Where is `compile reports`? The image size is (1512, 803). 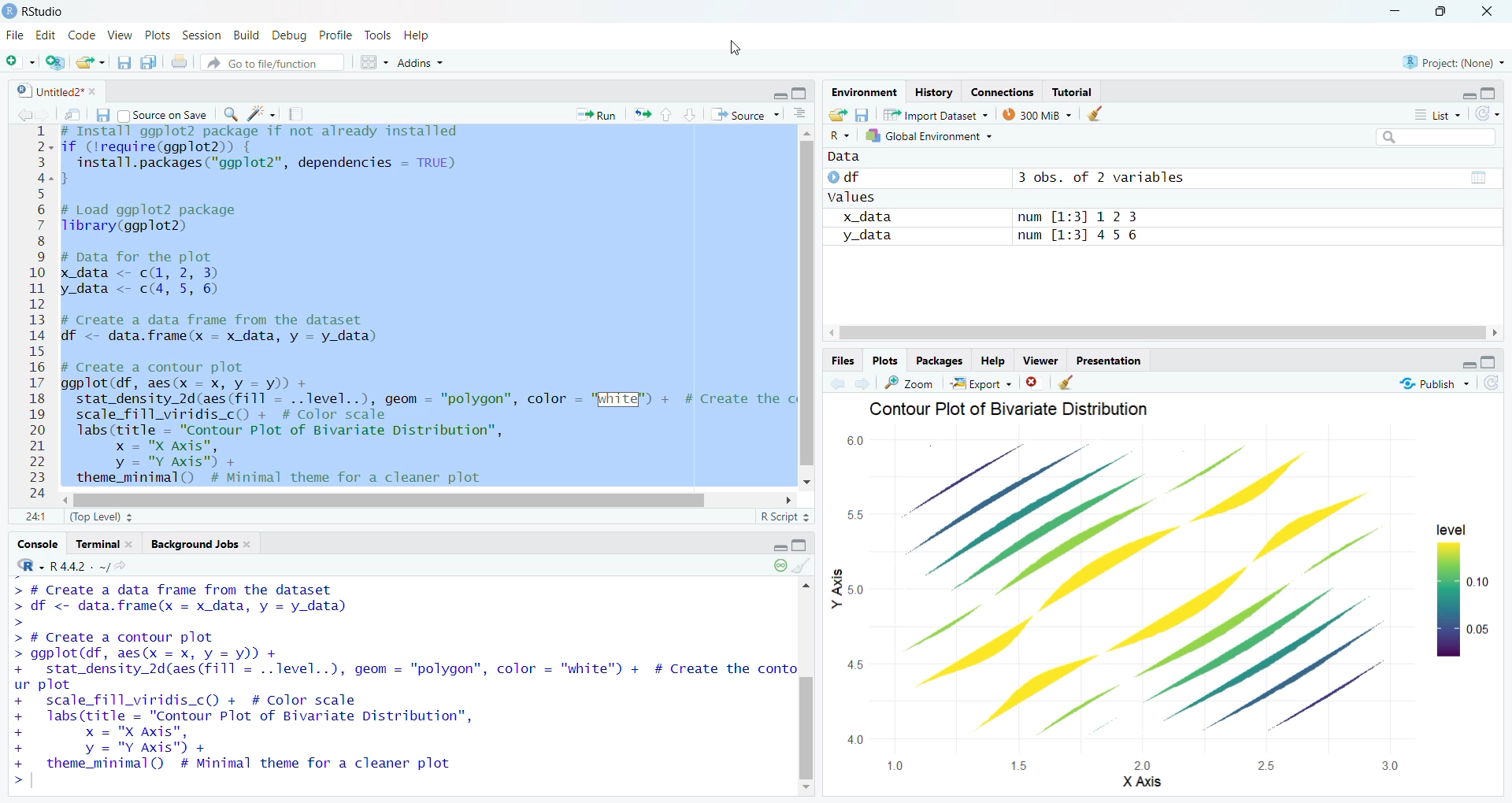
compile reports is located at coordinates (296, 115).